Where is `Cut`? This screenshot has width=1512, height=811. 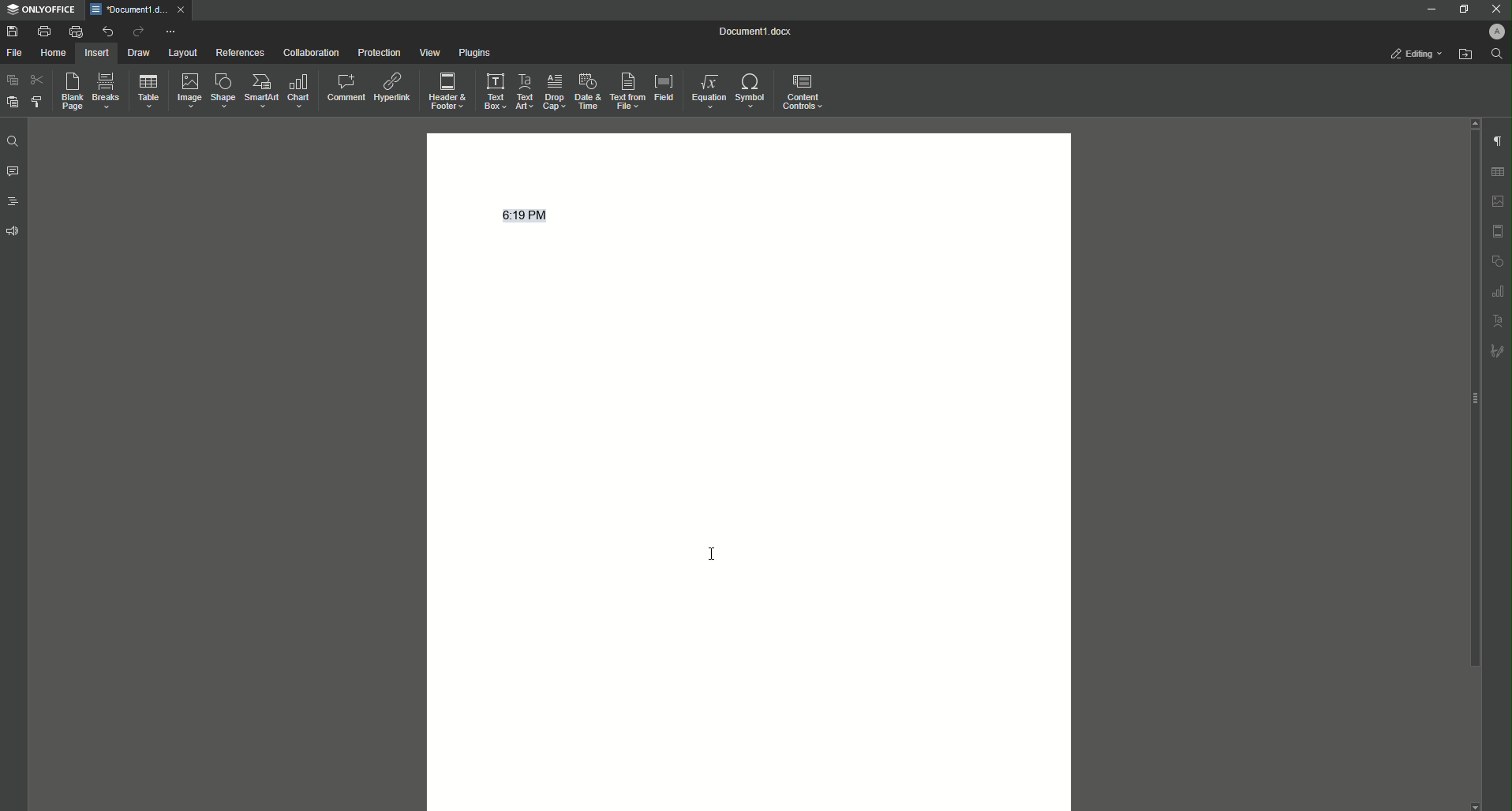 Cut is located at coordinates (36, 80).